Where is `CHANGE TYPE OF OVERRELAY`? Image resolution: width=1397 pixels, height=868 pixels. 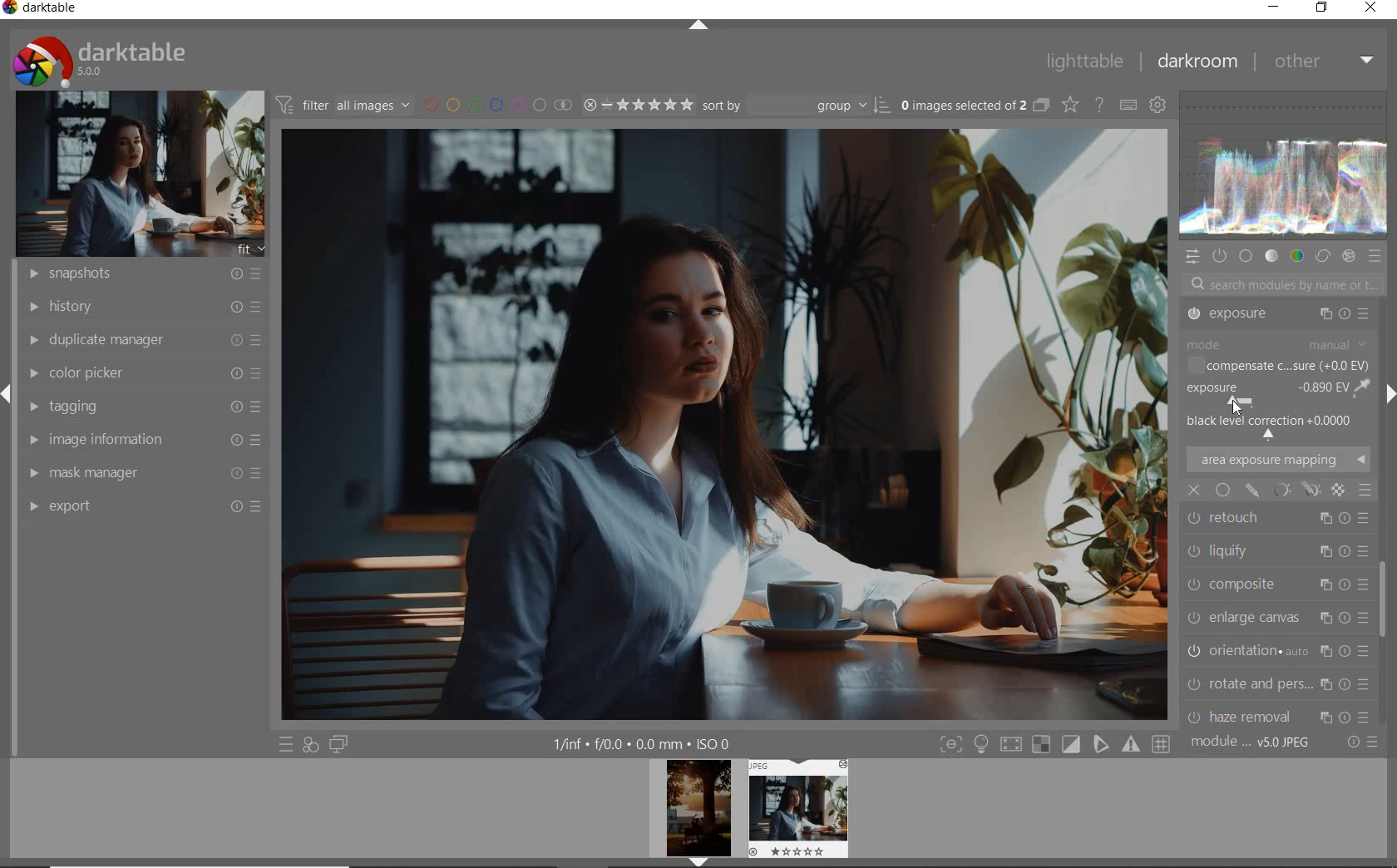 CHANGE TYPE OF OVERRELAY is located at coordinates (1069, 104).